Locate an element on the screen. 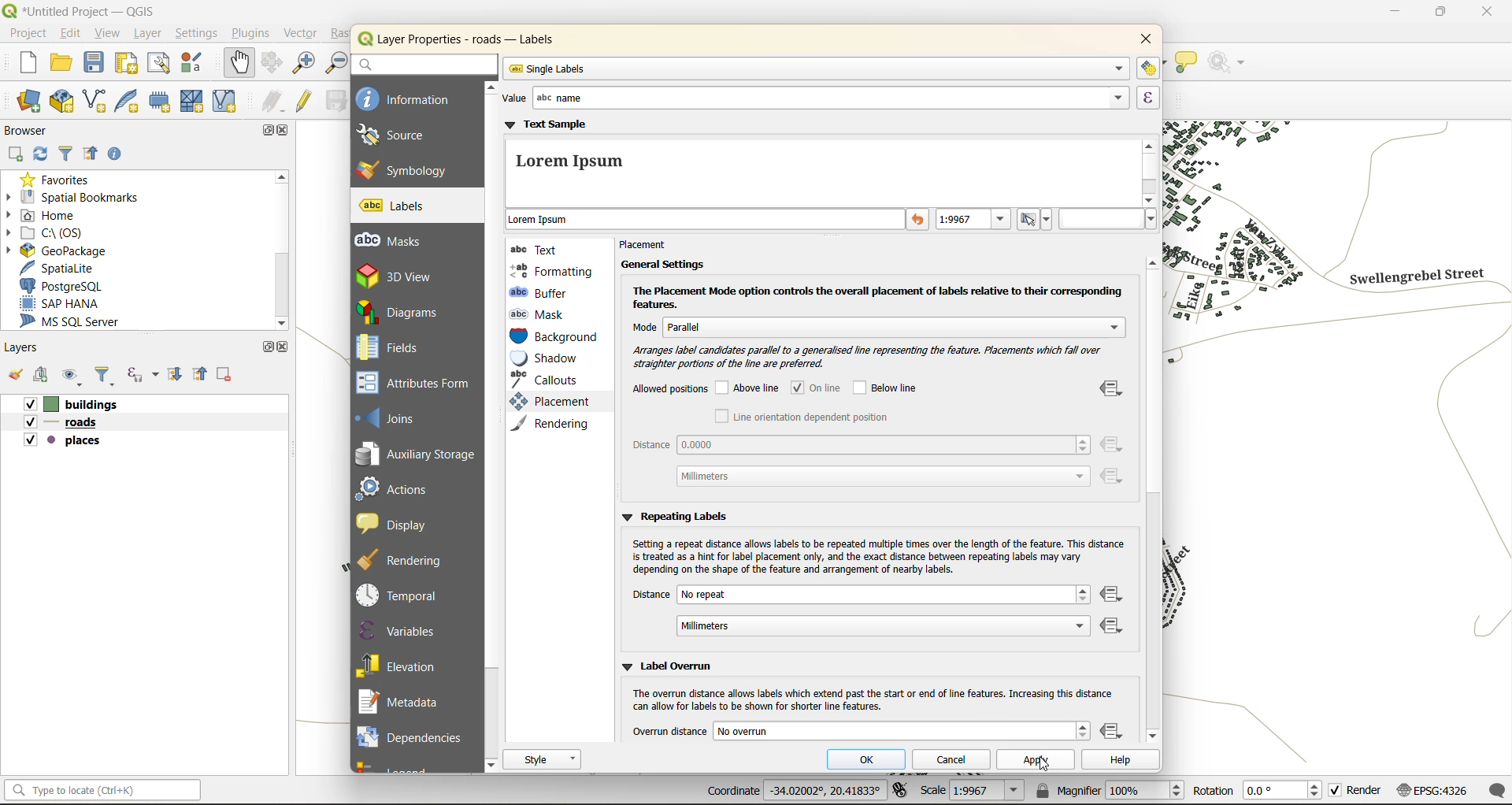 This screenshot has width=1512, height=805. callouts is located at coordinates (549, 380).